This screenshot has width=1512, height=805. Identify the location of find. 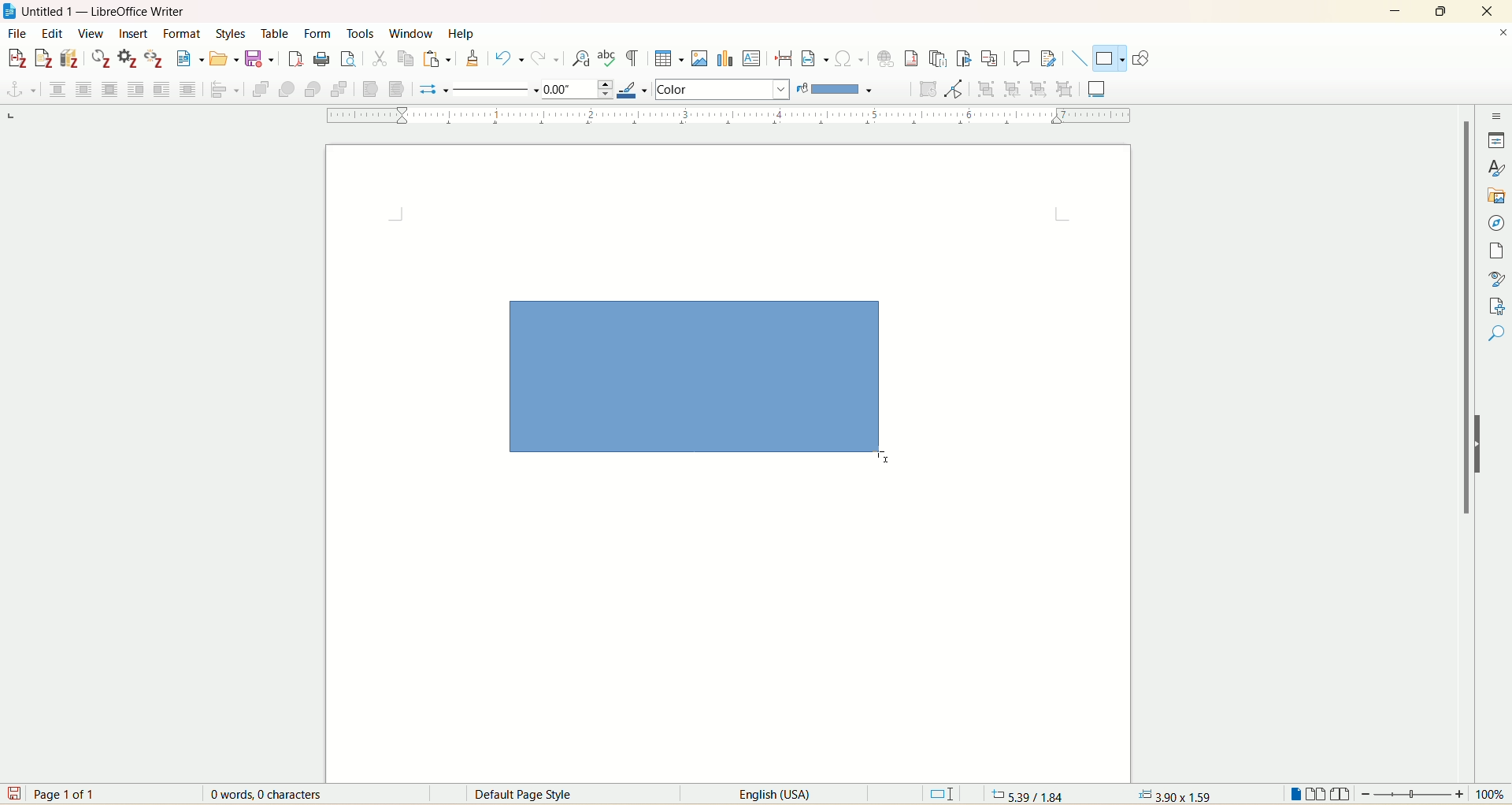
(1497, 362).